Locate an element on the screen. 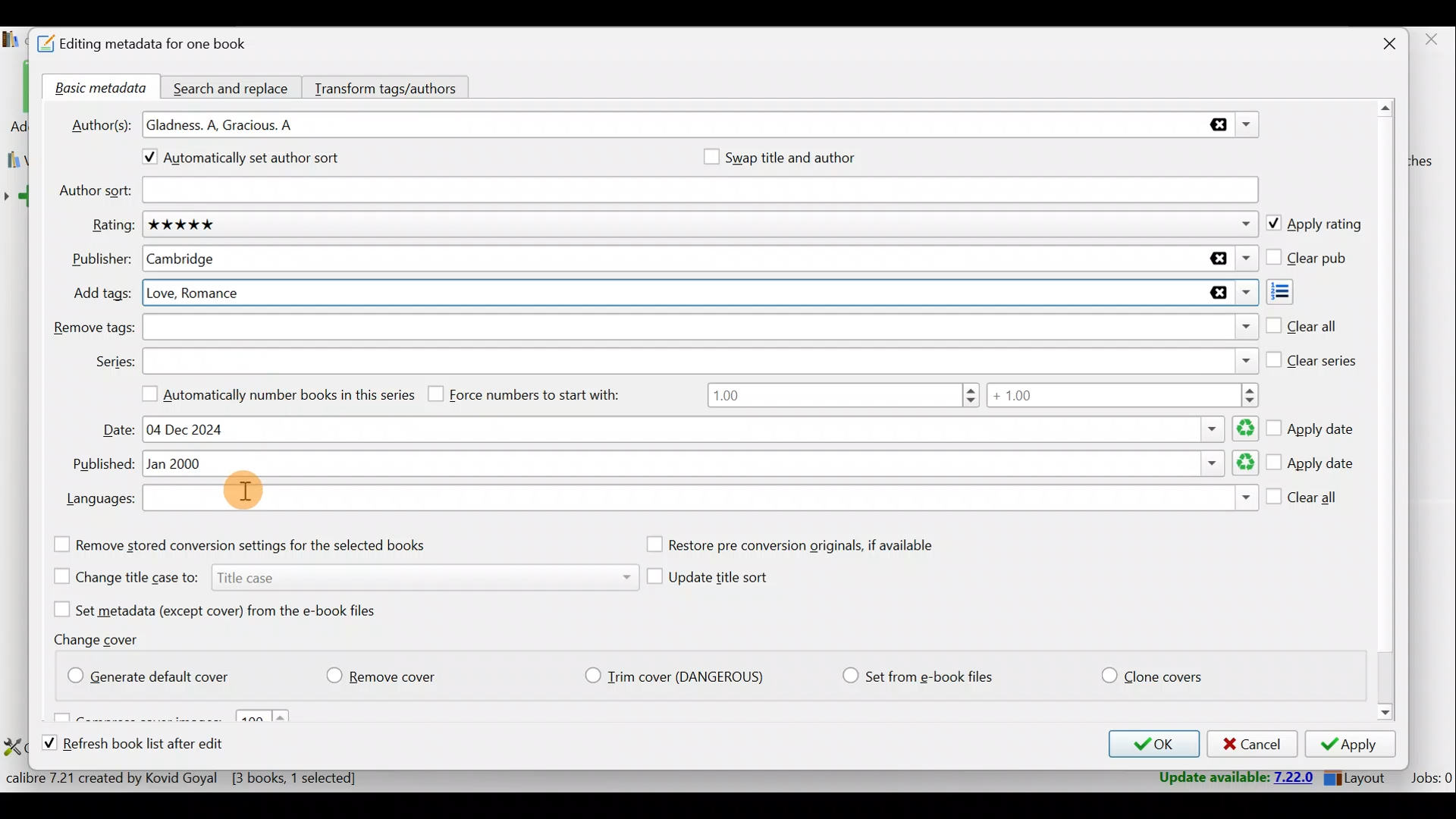 The image size is (1456, 819). Apply is located at coordinates (1355, 746).